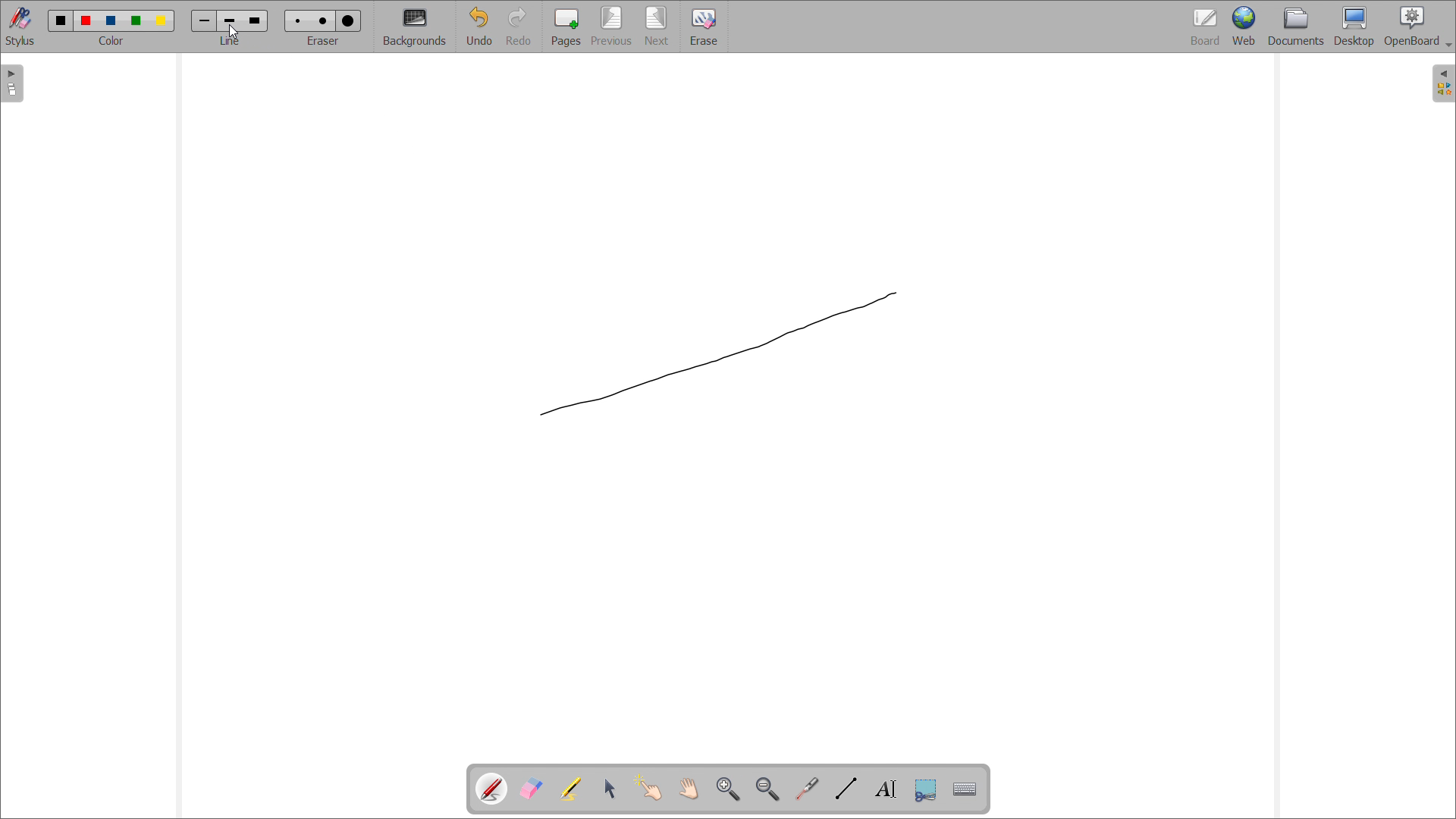 The width and height of the screenshot is (1456, 819). Describe the element at coordinates (1354, 27) in the screenshot. I see `desktop` at that location.